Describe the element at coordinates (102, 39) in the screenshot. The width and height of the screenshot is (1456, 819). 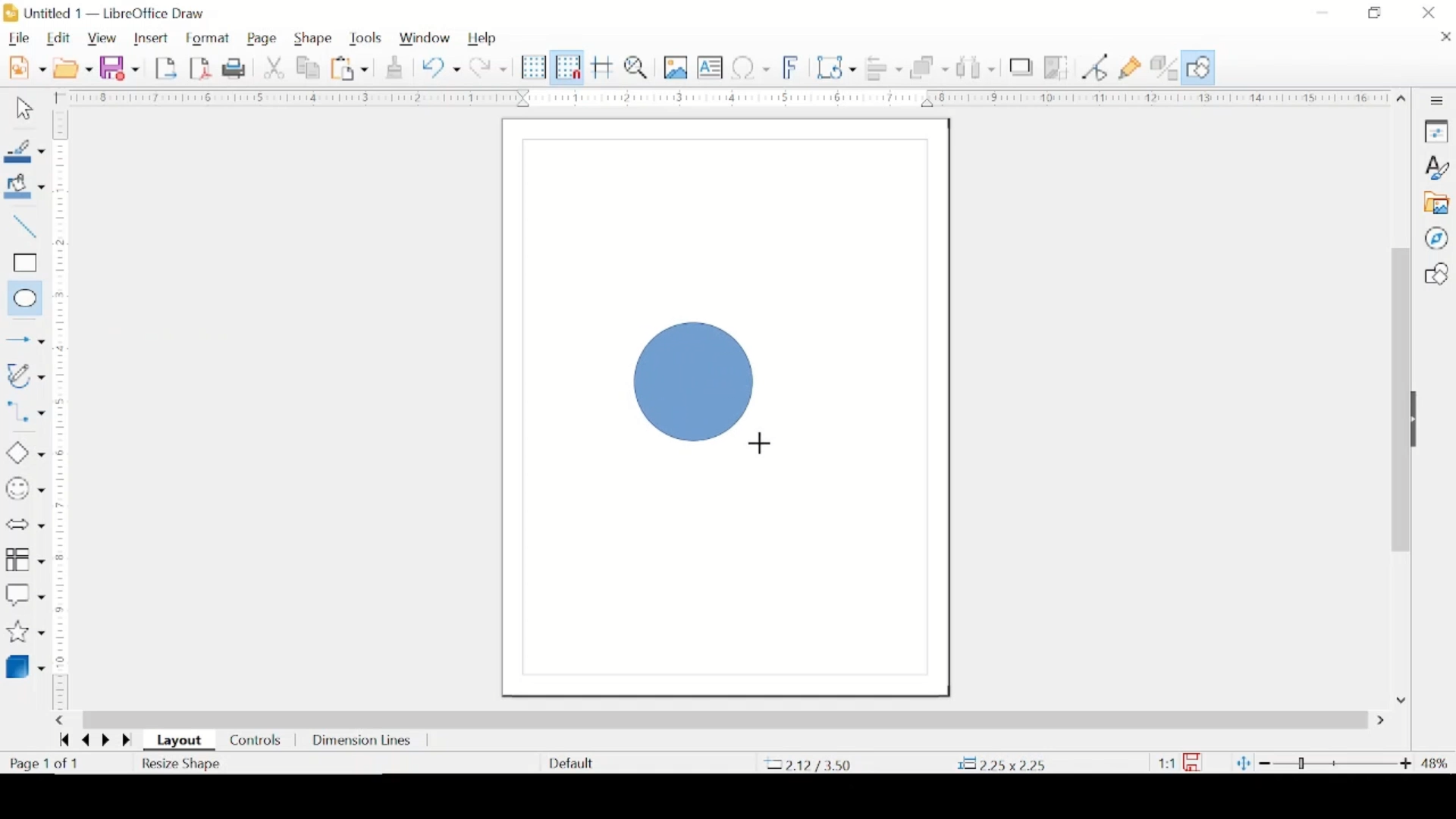
I see `view` at that location.